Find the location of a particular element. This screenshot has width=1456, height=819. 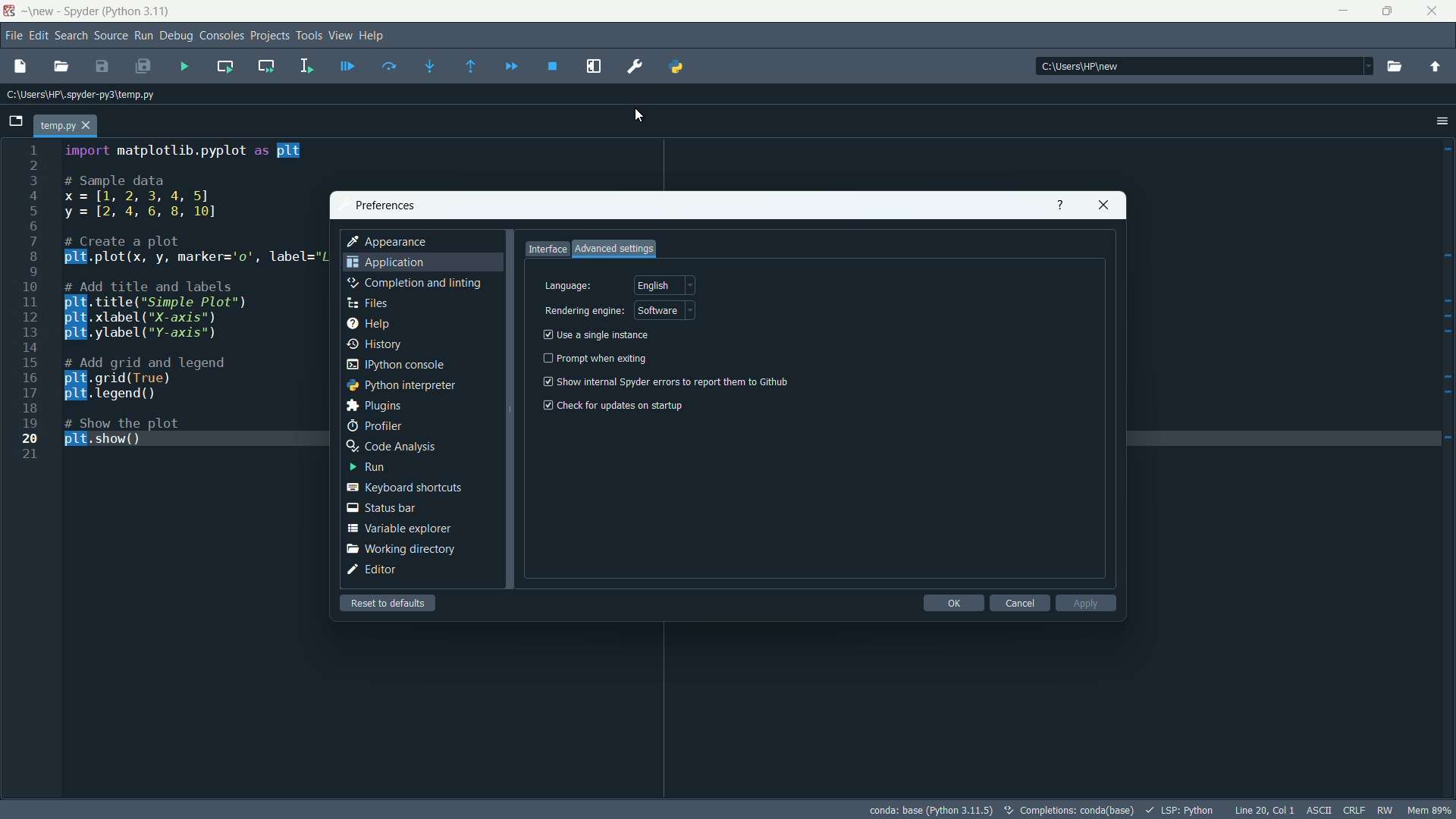

appearance is located at coordinates (390, 243).